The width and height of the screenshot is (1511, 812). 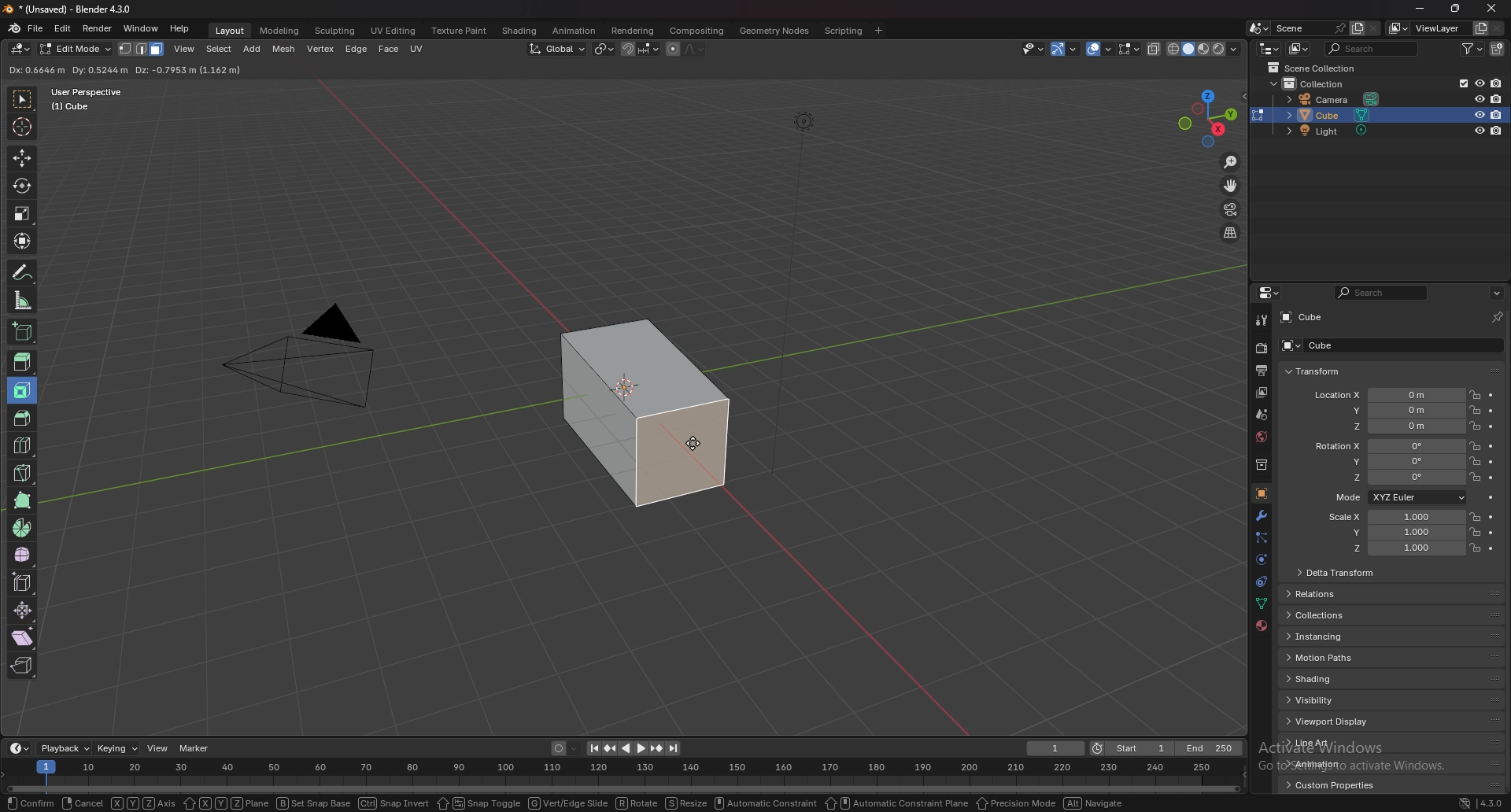 What do you see at coordinates (1321, 84) in the screenshot?
I see `collection` at bounding box center [1321, 84].